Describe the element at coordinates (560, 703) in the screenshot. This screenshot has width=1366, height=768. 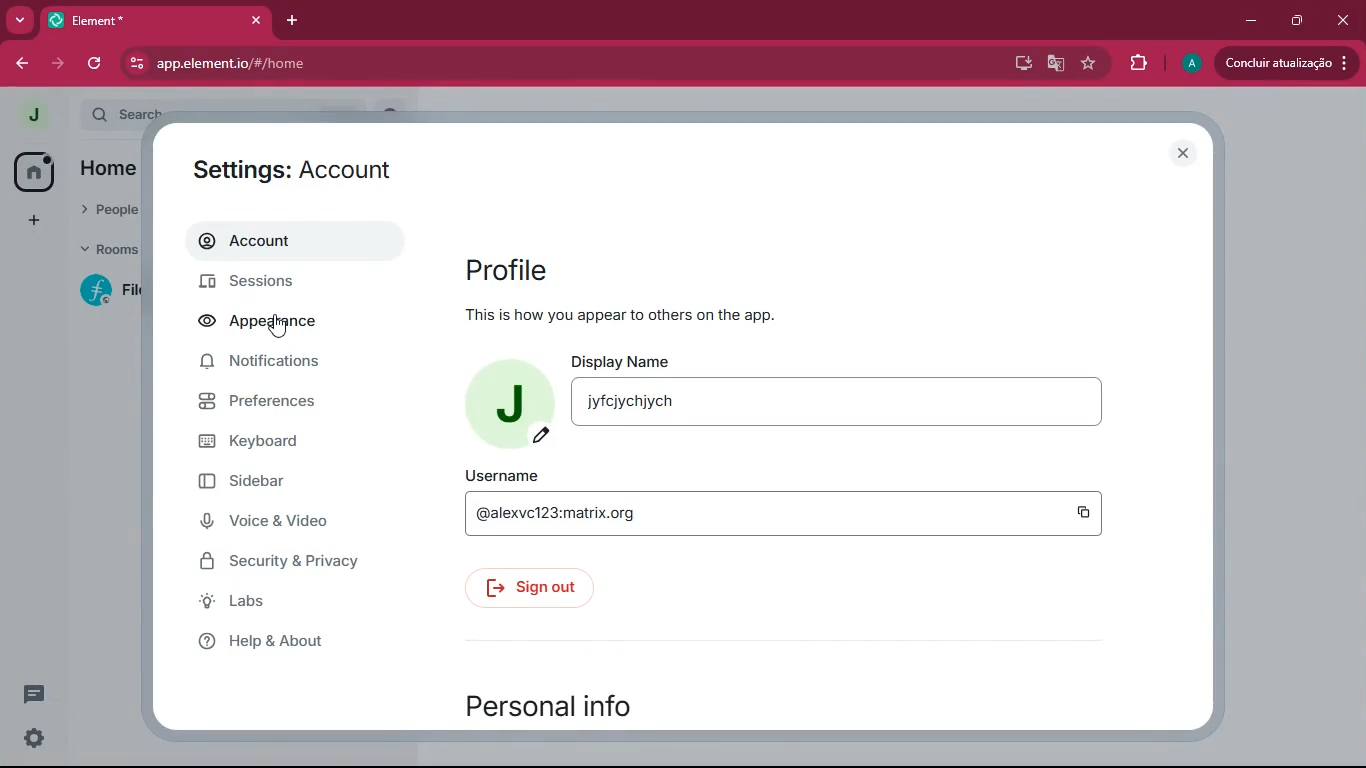
I see `personal info` at that location.